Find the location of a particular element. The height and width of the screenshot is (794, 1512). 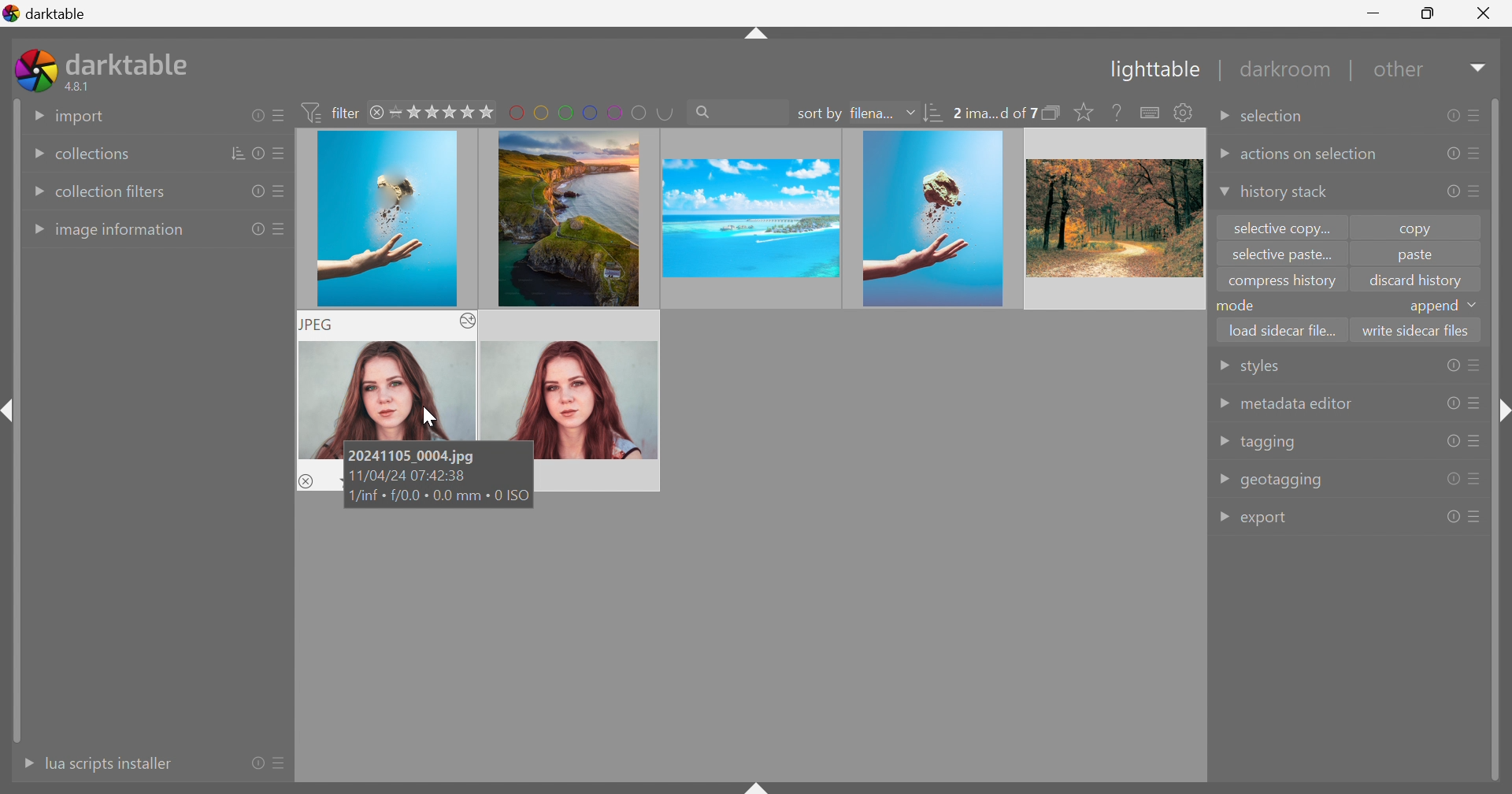

reset is located at coordinates (256, 115).